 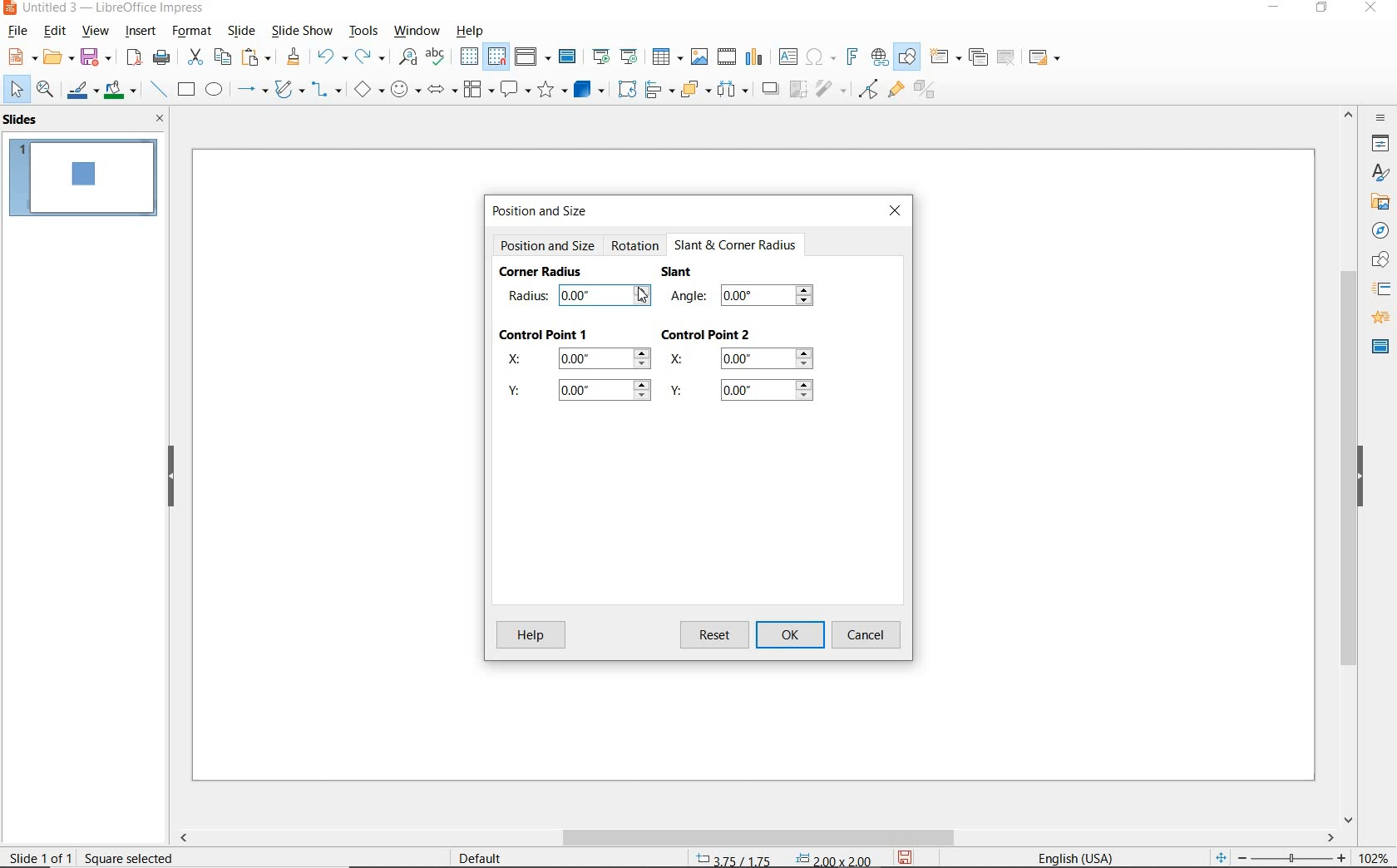 What do you see at coordinates (589, 88) in the screenshot?
I see `3d objects` at bounding box center [589, 88].